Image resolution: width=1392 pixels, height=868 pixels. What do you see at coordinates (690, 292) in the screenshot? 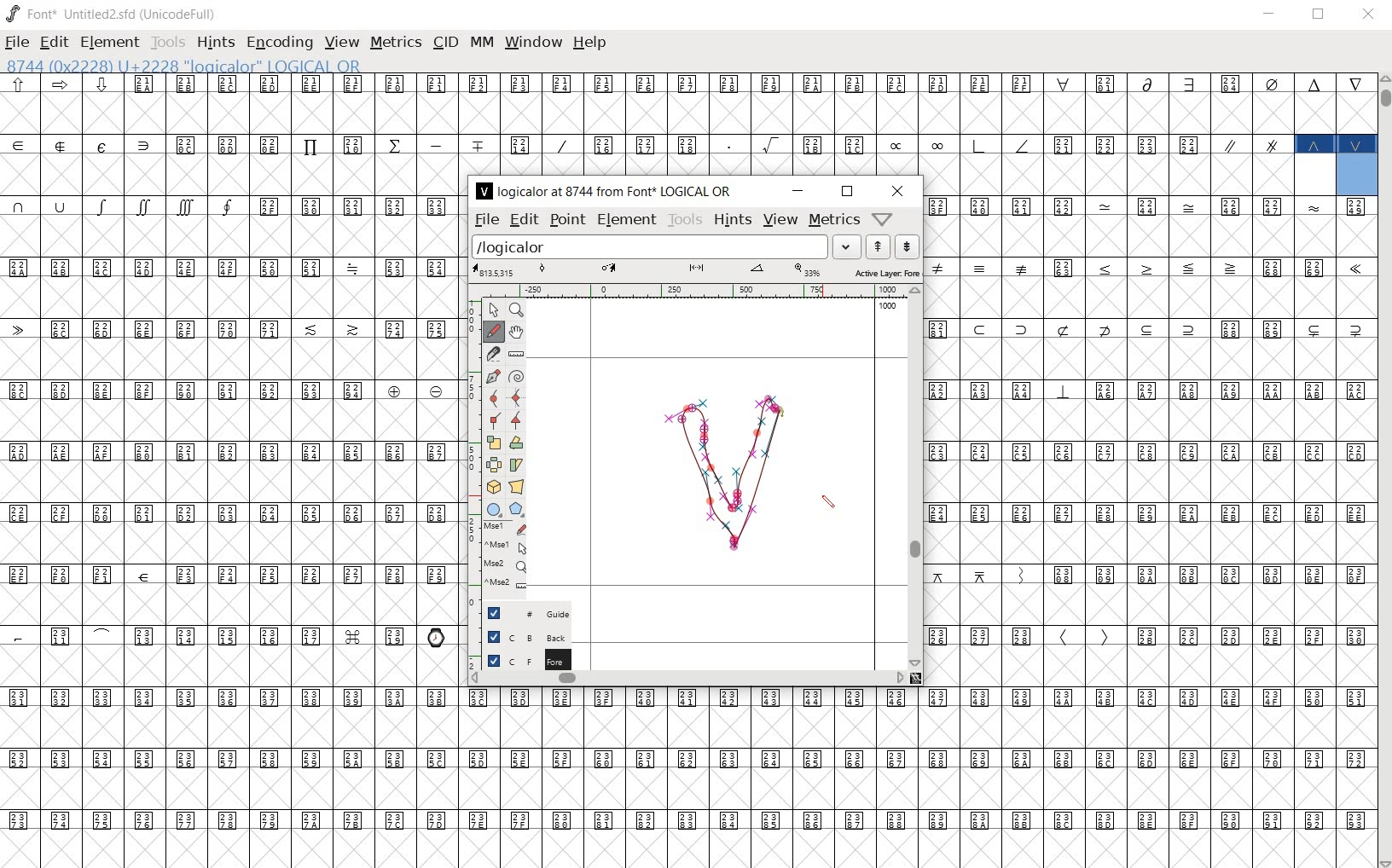
I see `ruler` at bounding box center [690, 292].